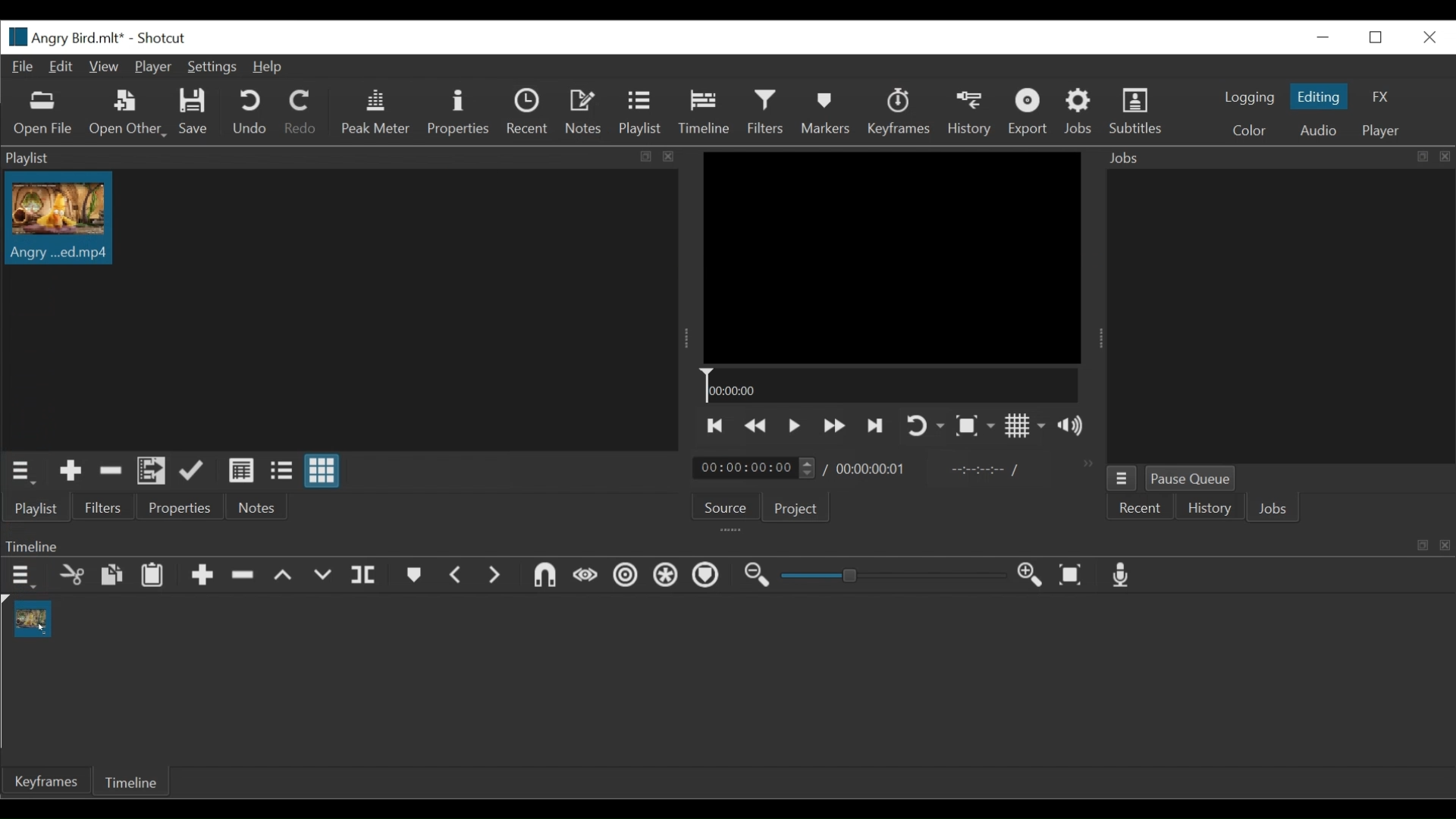 Image resolution: width=1456 pixels, height=819 pixels. I want to click on previous, so click(455, 575).